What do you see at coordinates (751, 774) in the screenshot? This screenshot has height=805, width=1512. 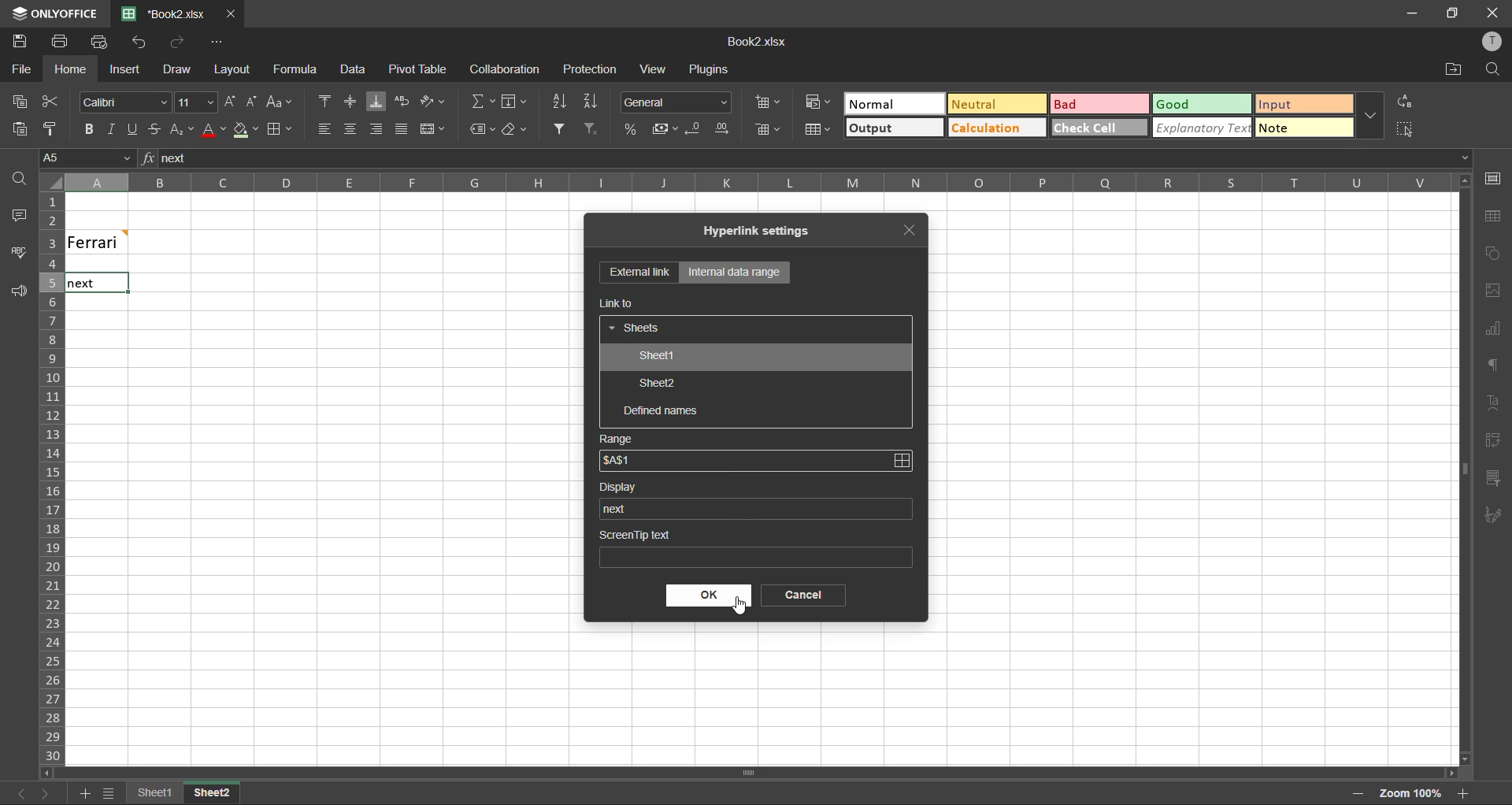 I see `Vertical Scrollbar` at bounding box center [751, 774].